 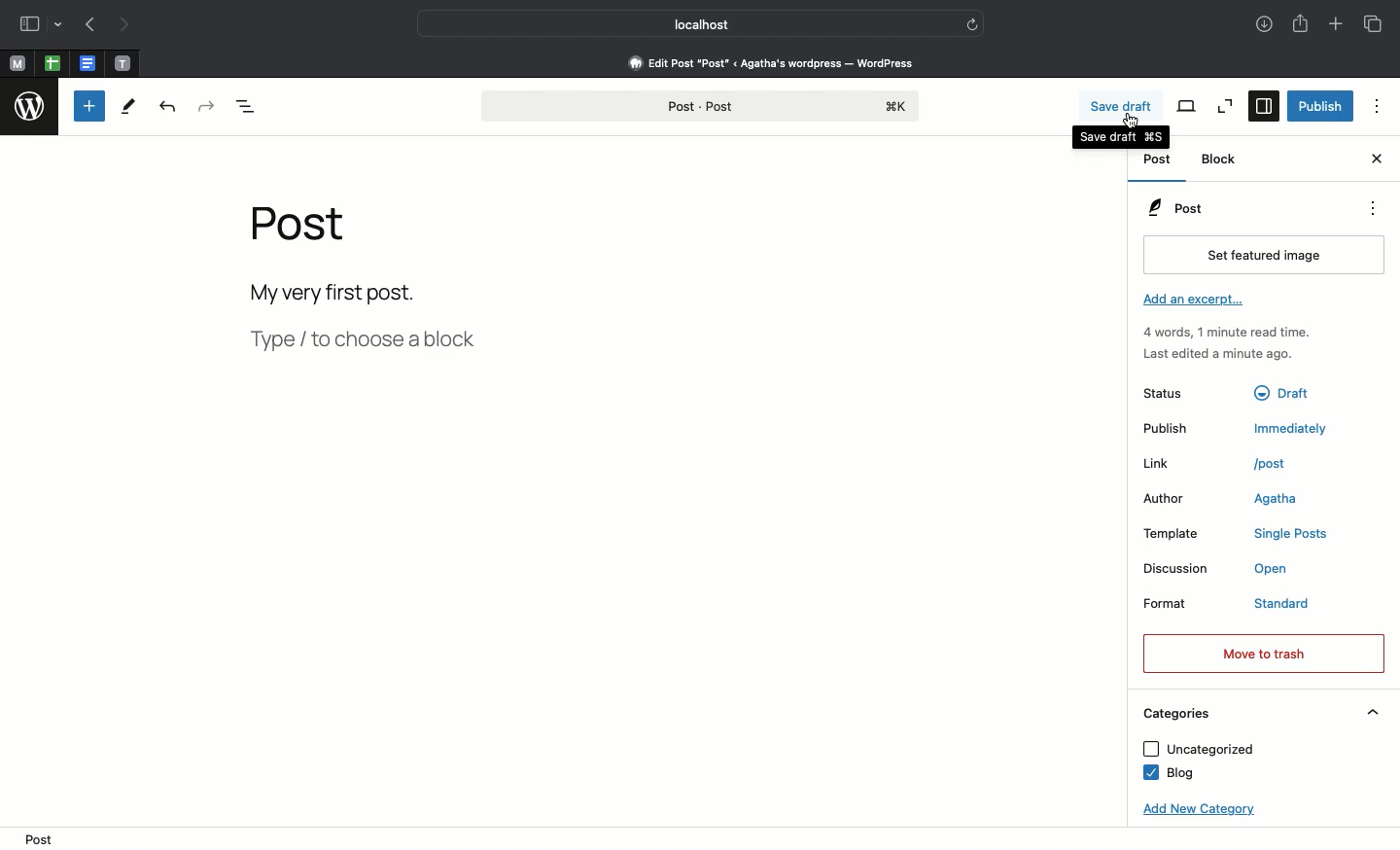 I want to click on Next page, so click(x=130, y=25).